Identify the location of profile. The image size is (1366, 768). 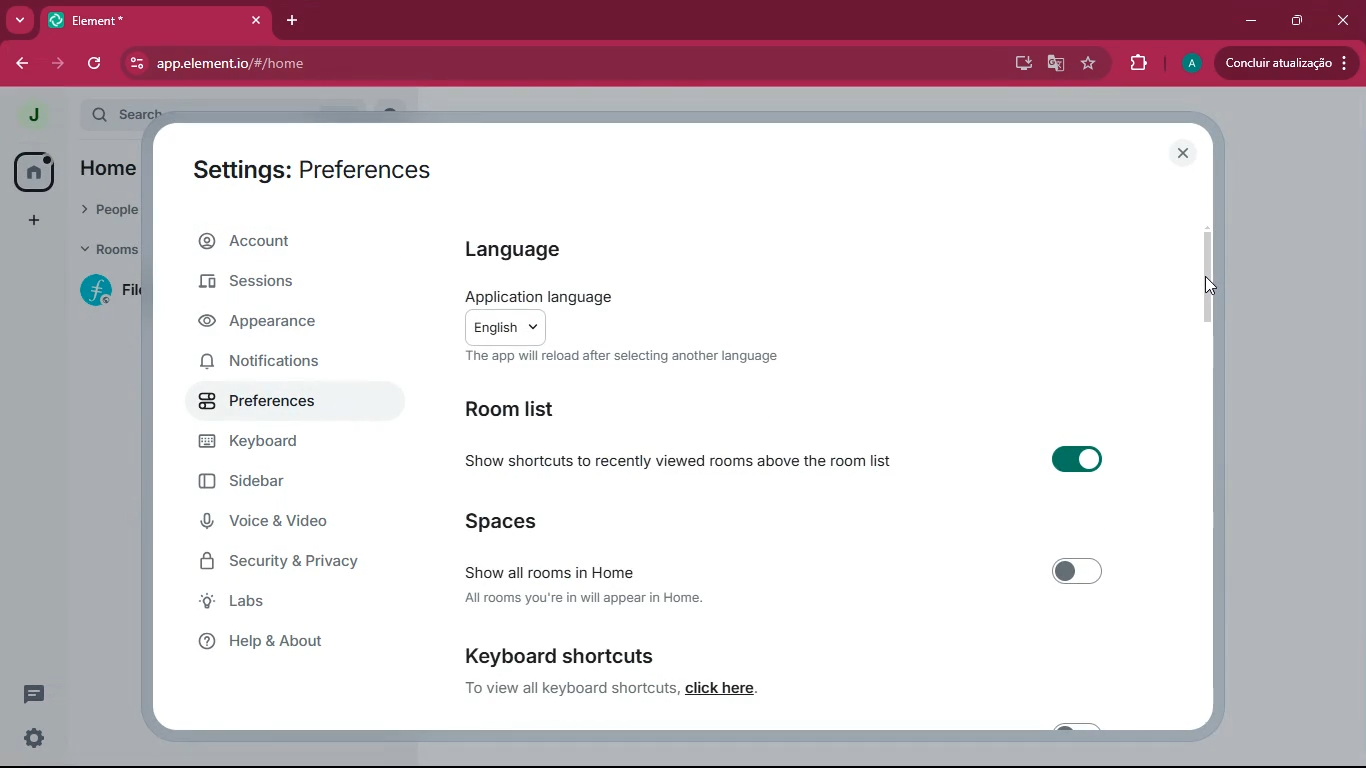
(31, 113).